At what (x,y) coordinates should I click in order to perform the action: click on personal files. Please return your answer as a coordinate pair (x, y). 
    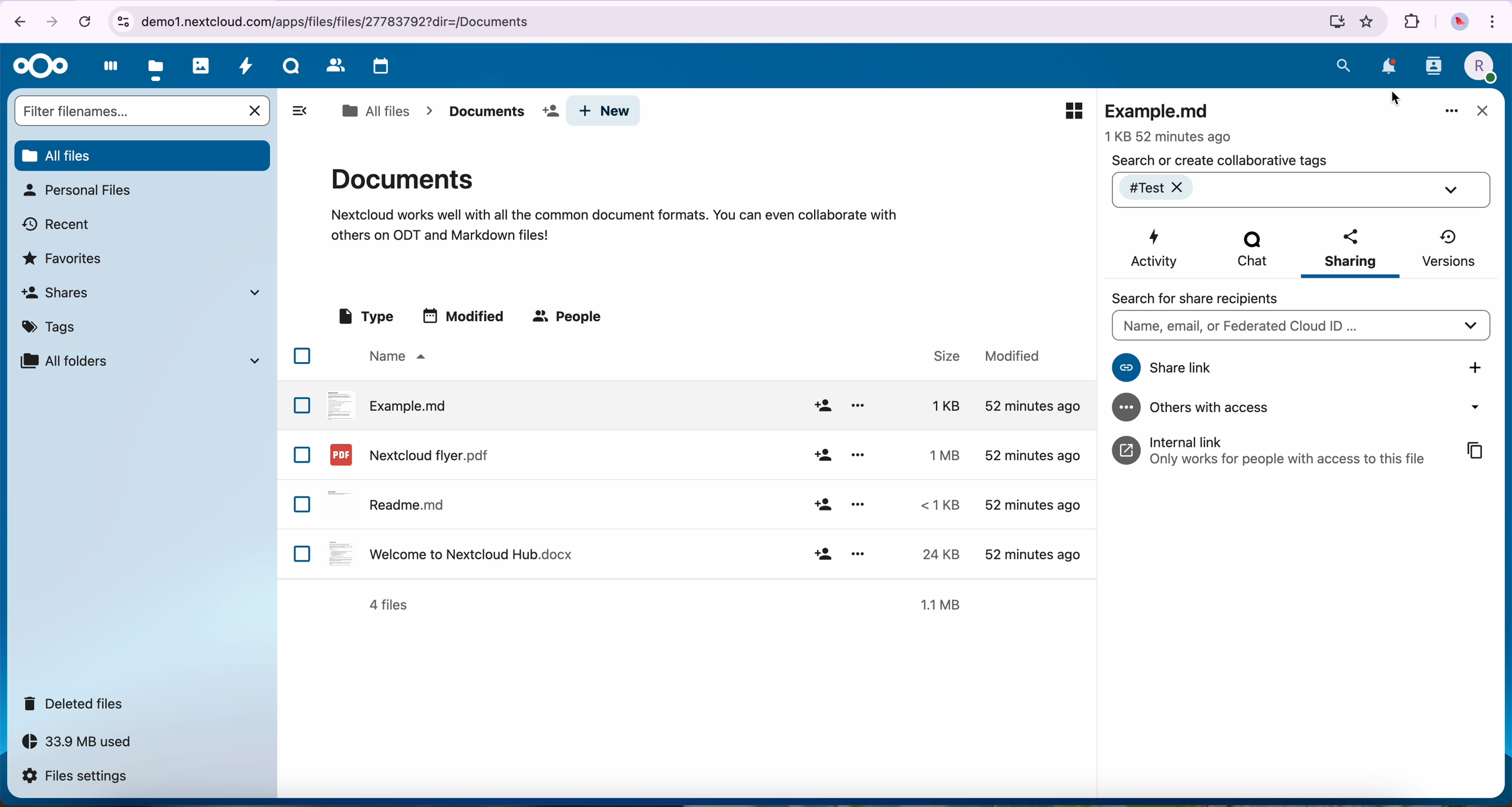
    Looking at the image, I should click on (76, 190).